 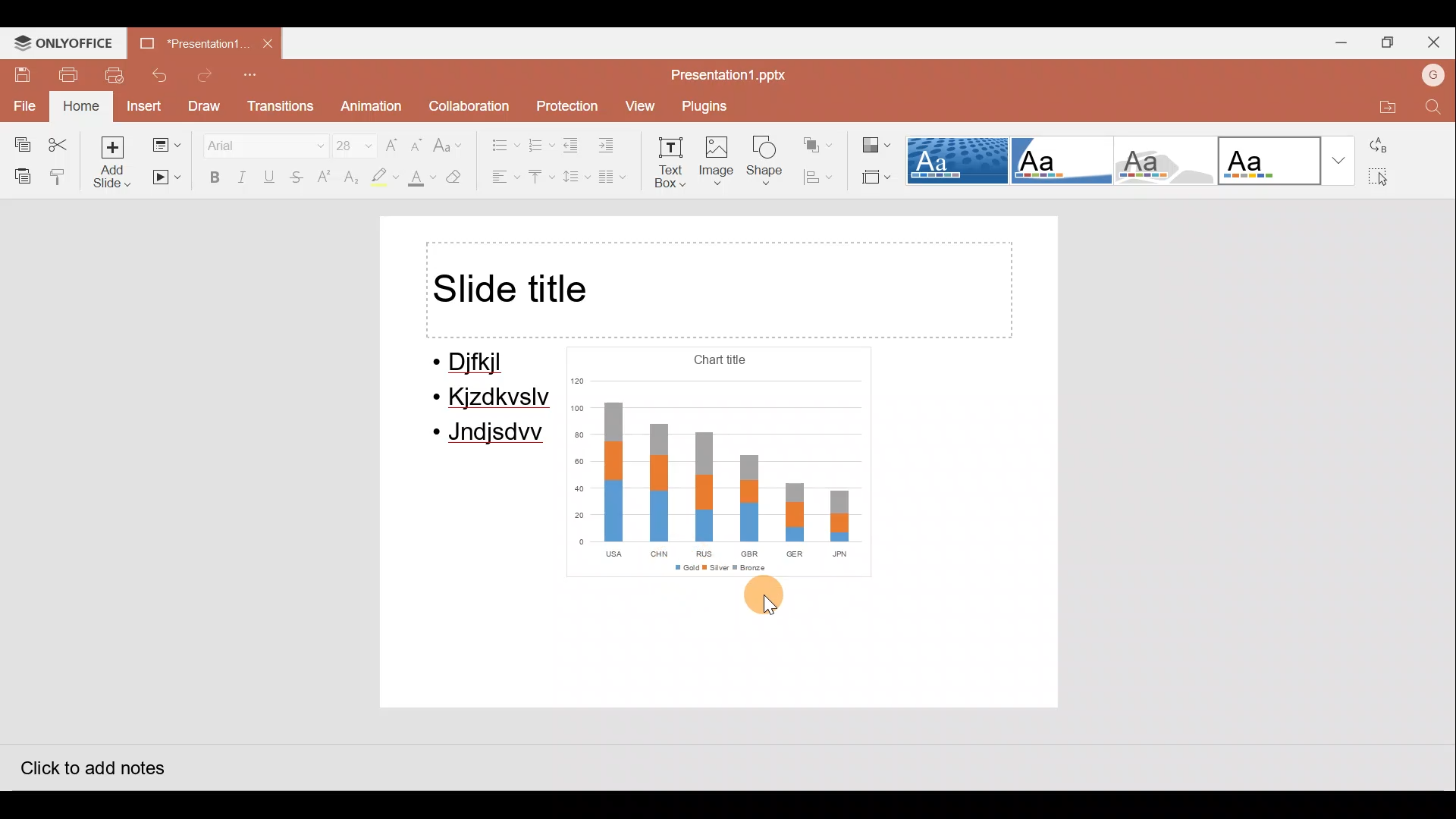 What do you see at coordinates (1171, 159) in the screenshot?
I see `Theme 3` at bounding box center [1171, 159].